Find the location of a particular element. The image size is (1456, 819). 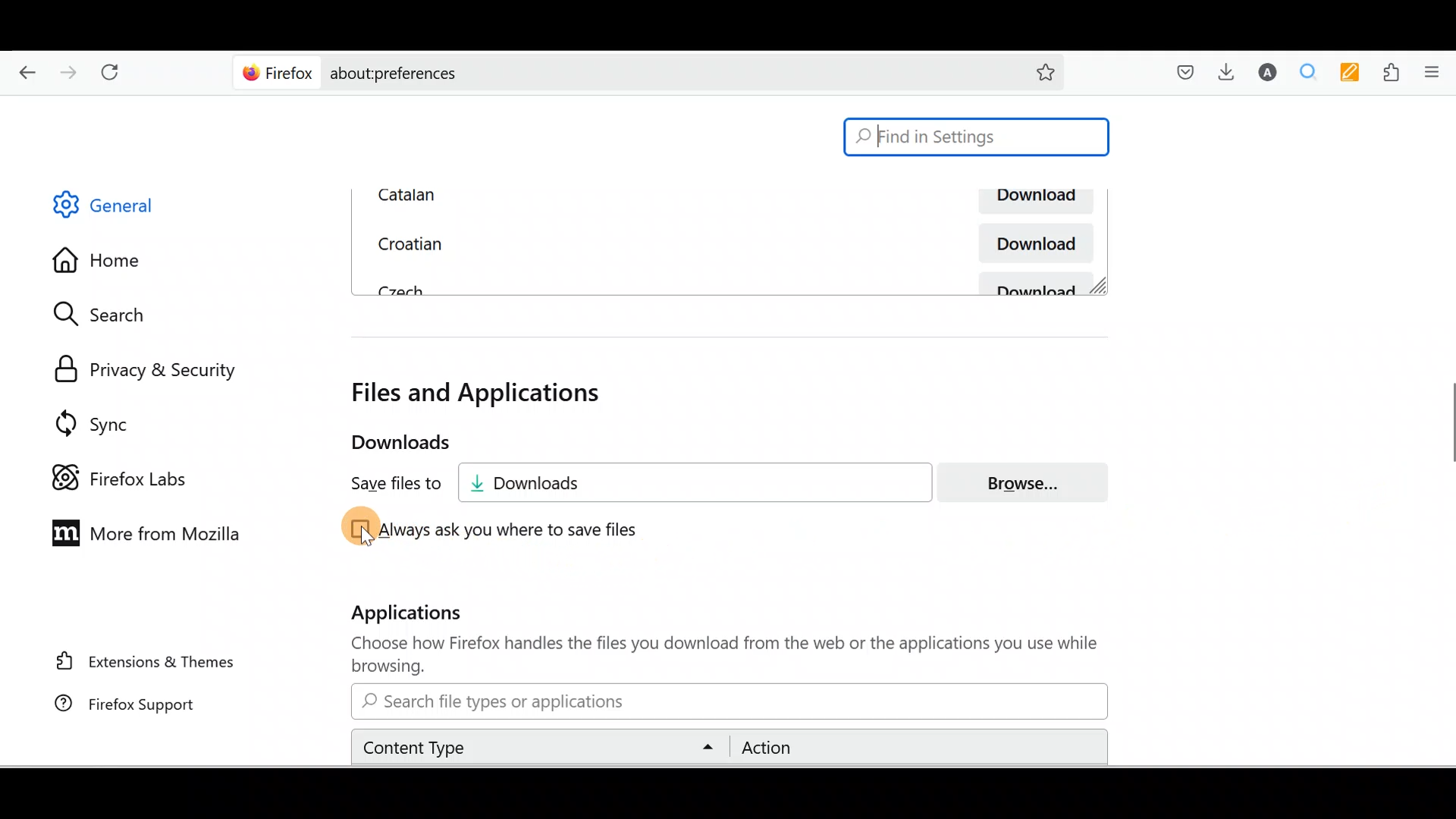

Multiple search and highlight is located at coordinates (1313, 72).